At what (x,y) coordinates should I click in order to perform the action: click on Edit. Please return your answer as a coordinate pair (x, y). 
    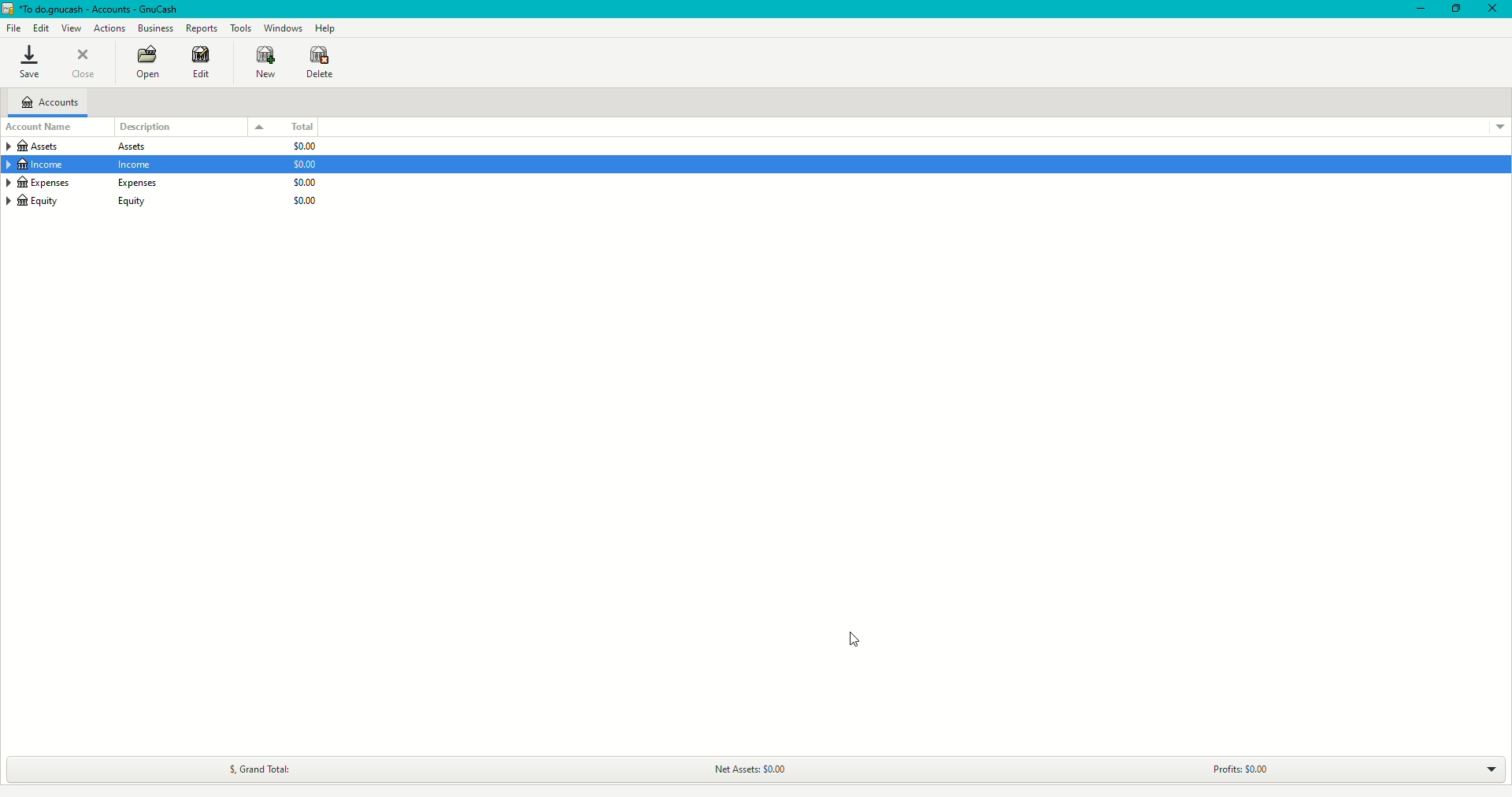
    Looking at the image, I should click on (39, 27).